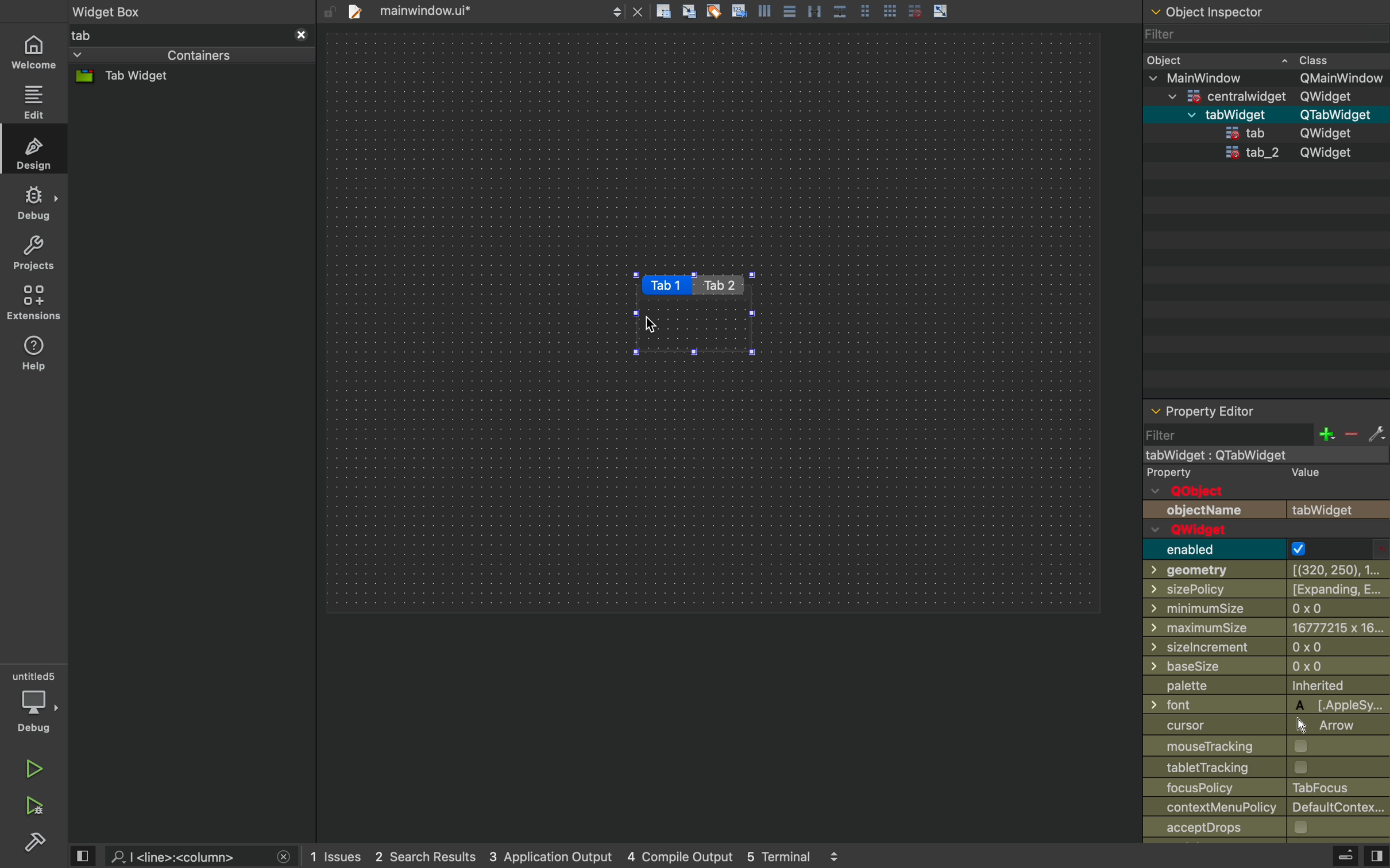 The height and width of the screenshot is (868, 1390). Describe the element at coordinates (841, 11) in the screenshot. I see `distribute vertically` at that location.